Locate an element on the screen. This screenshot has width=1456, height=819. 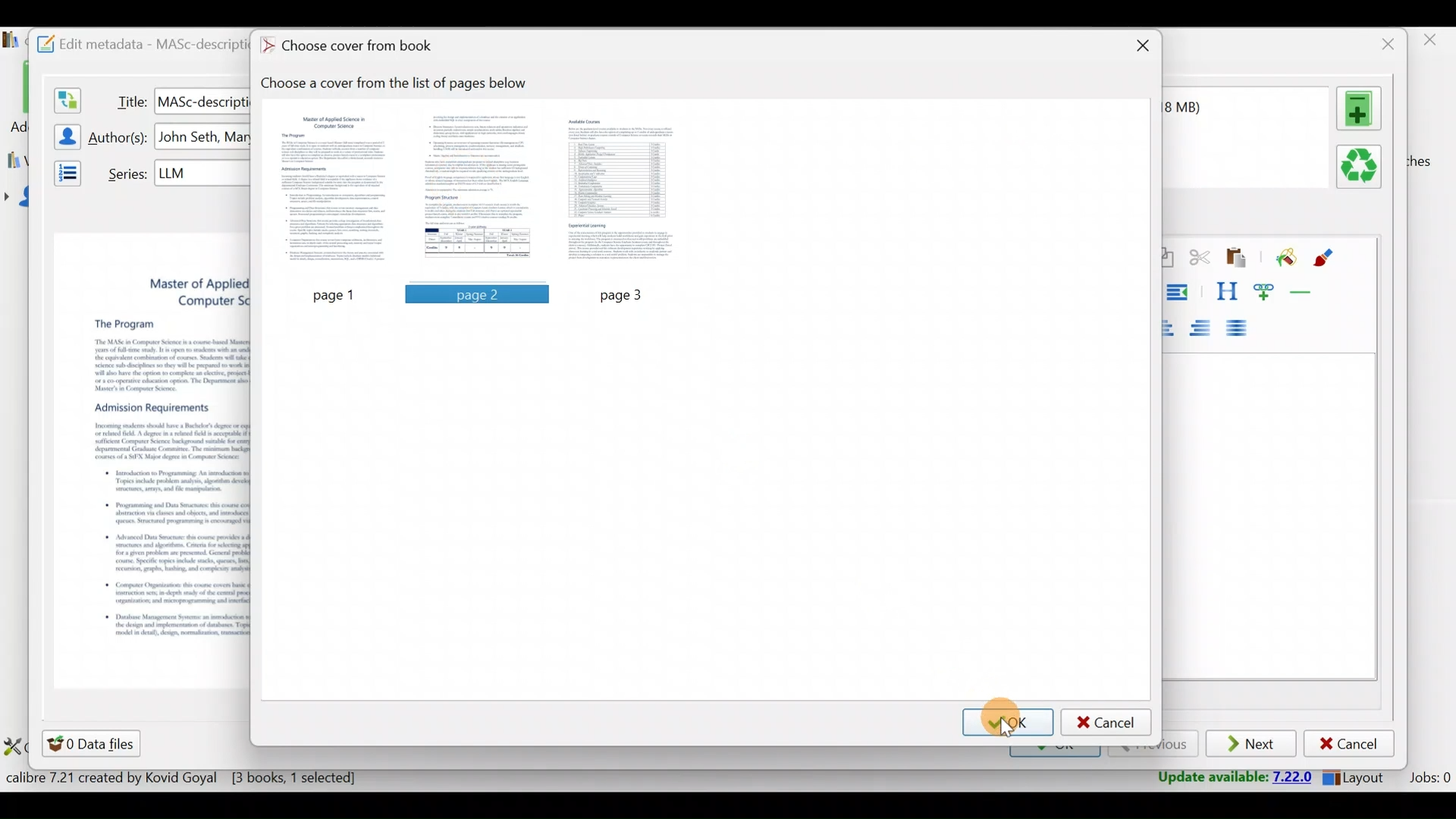
Page 2 is located at coordinates (477, 191).